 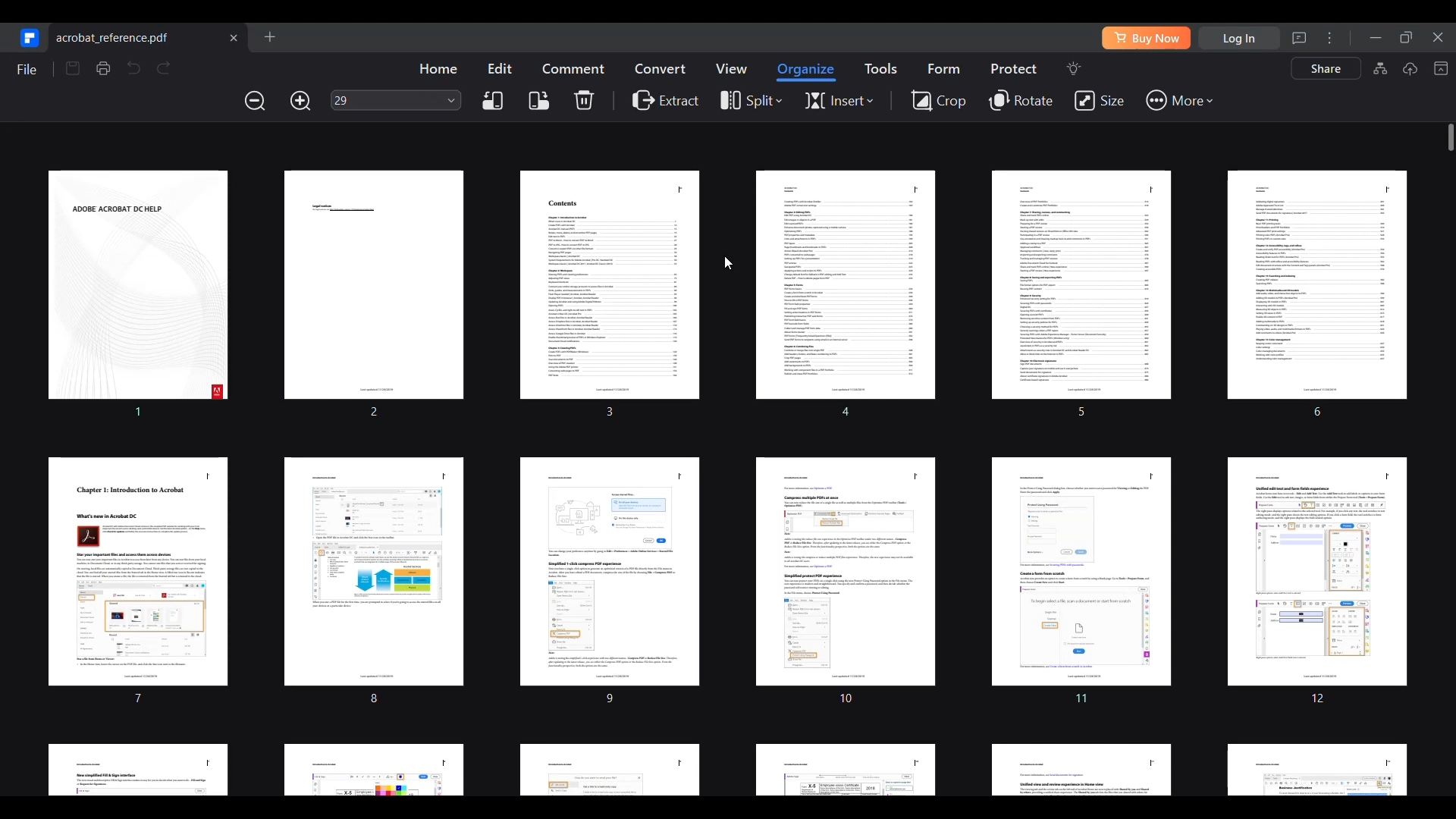 I want to click on Redo, so click(x=164, y=68).